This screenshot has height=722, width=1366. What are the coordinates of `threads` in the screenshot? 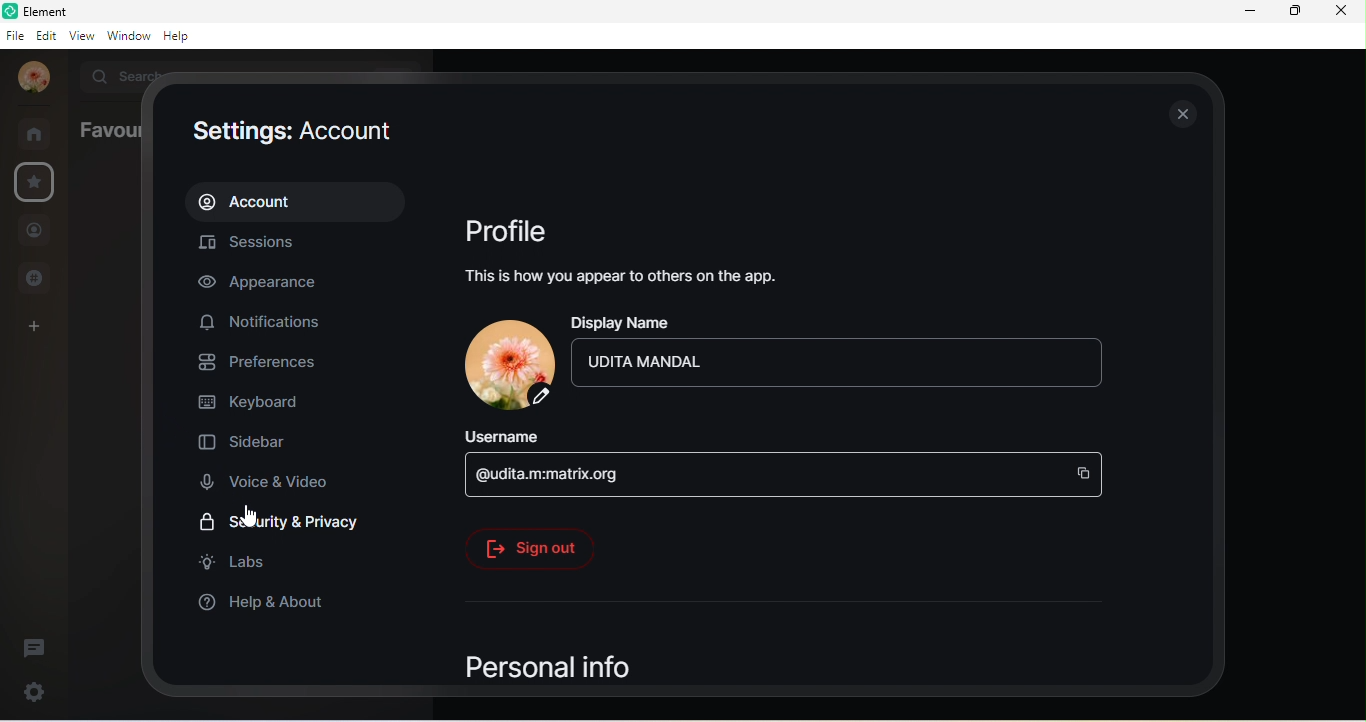 It's located at (35, 646).